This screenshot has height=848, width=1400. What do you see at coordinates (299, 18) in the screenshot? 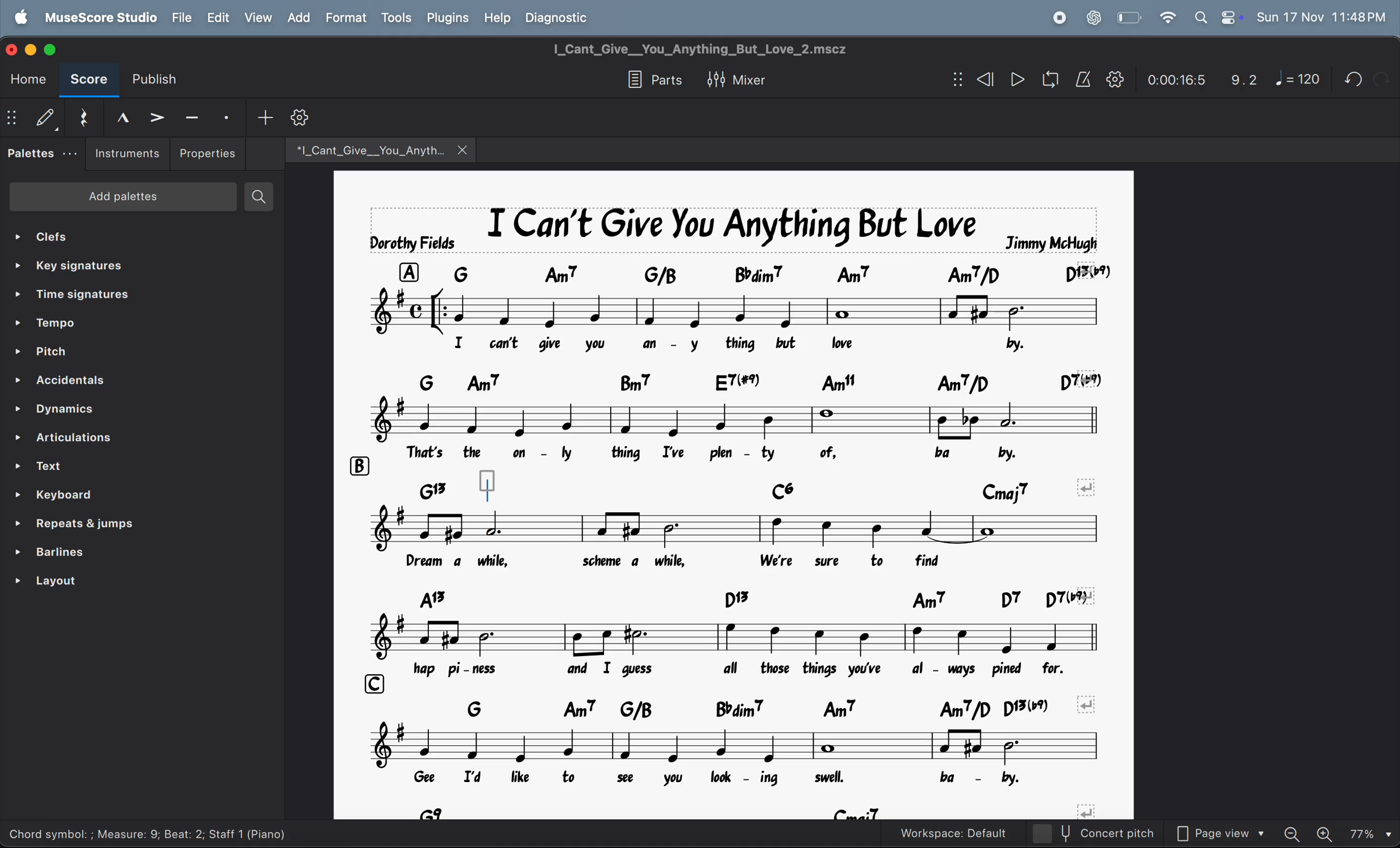
I see `add` at bounding box center [299, 18].